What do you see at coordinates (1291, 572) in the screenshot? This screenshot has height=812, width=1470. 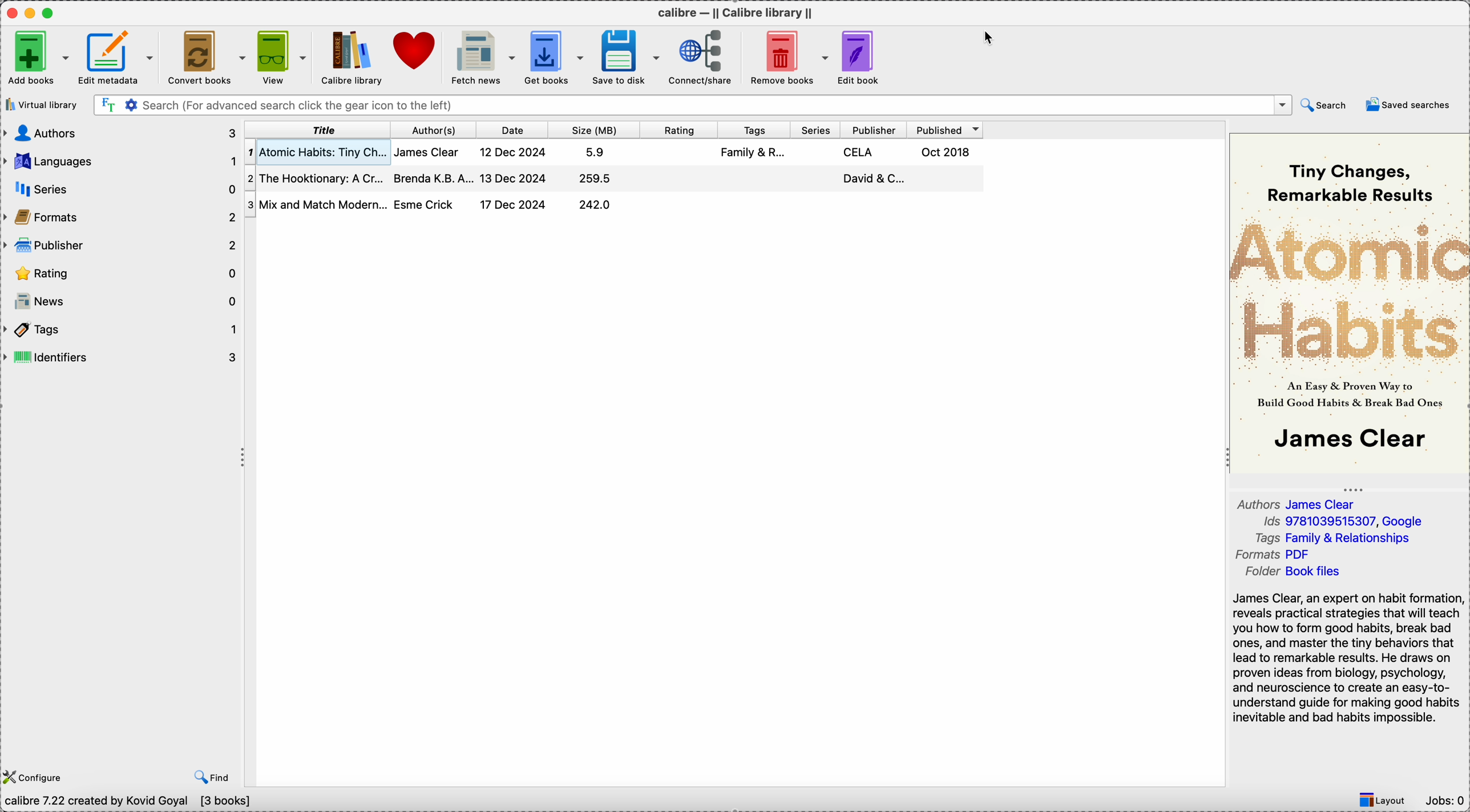 I see `Folder Book files` at bounding box center [1291, 572].